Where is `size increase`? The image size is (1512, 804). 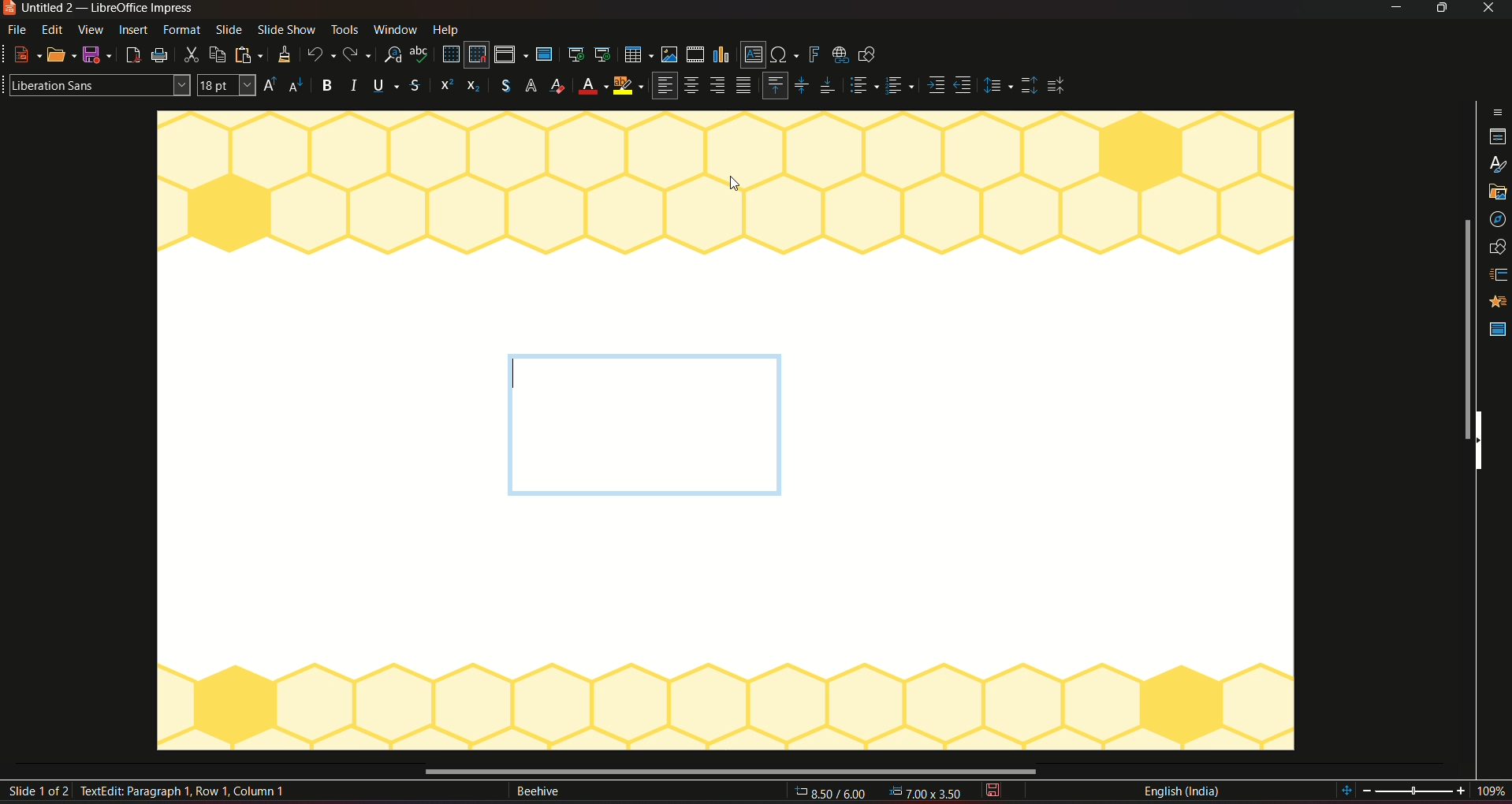
size increase is located at coordinates (273, 85).